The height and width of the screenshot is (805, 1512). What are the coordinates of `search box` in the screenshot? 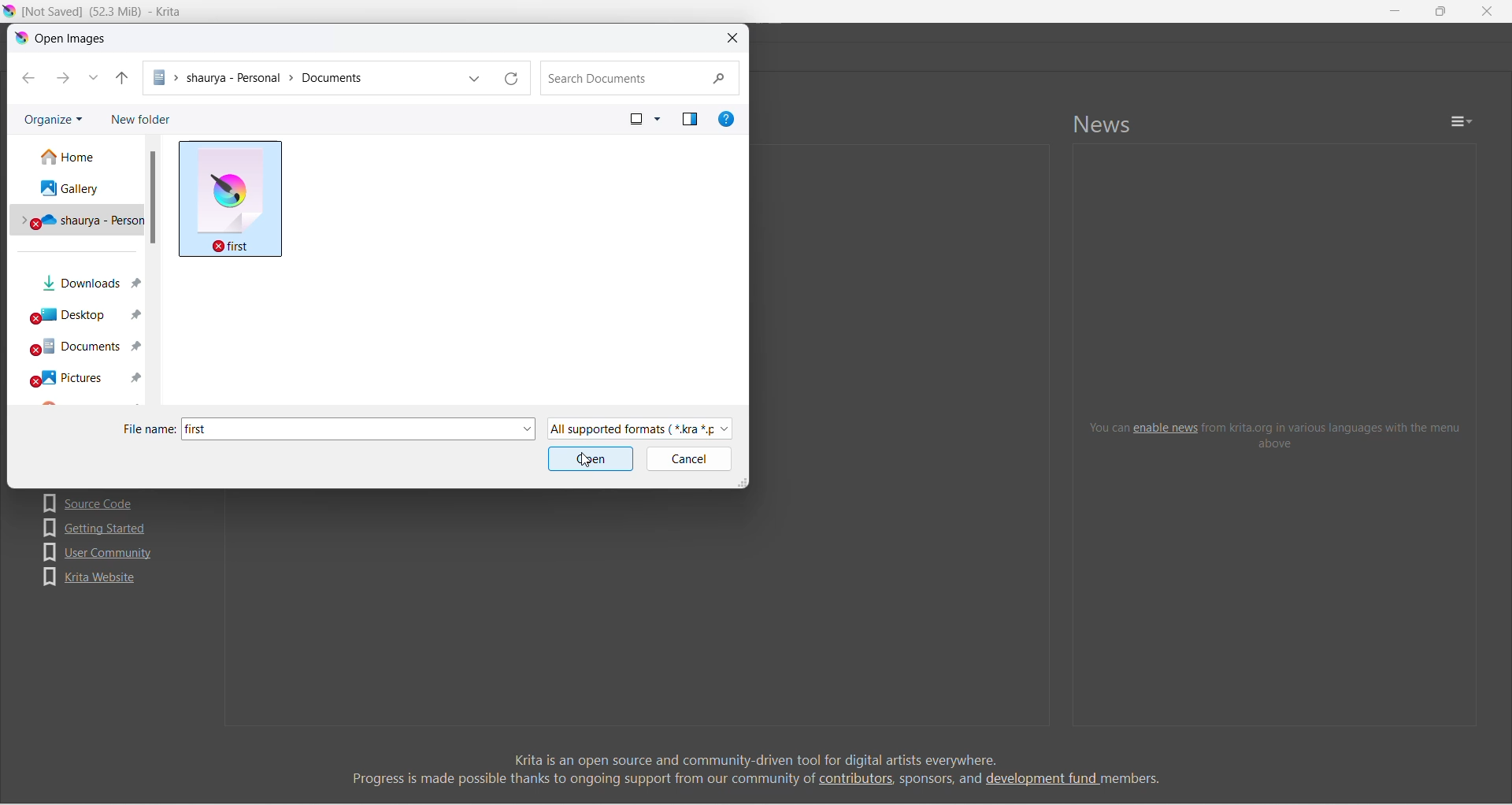 It's located at (640, 78).